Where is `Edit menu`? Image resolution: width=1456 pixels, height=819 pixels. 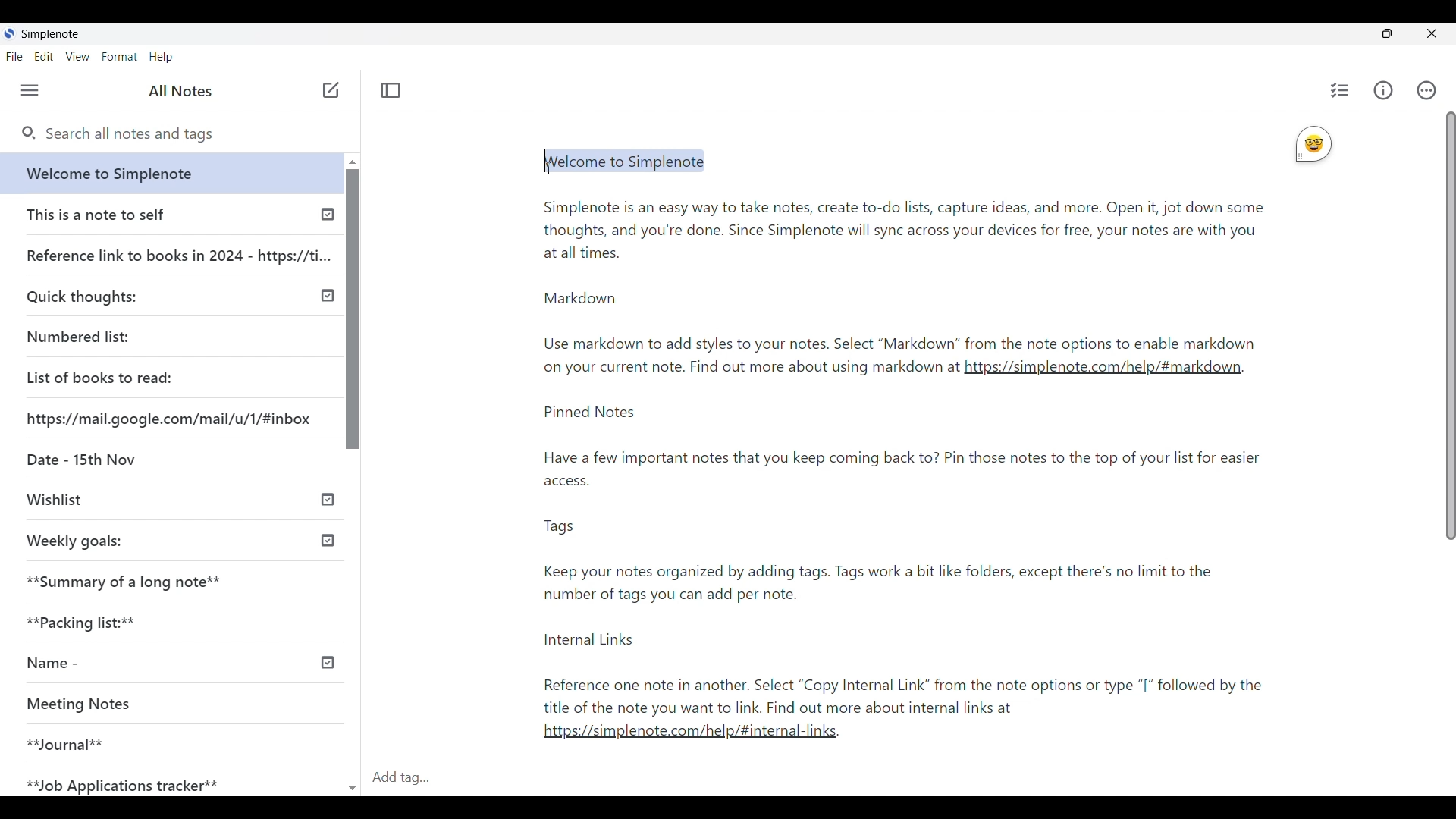 Edit menu is located at coordinates (44, 56).